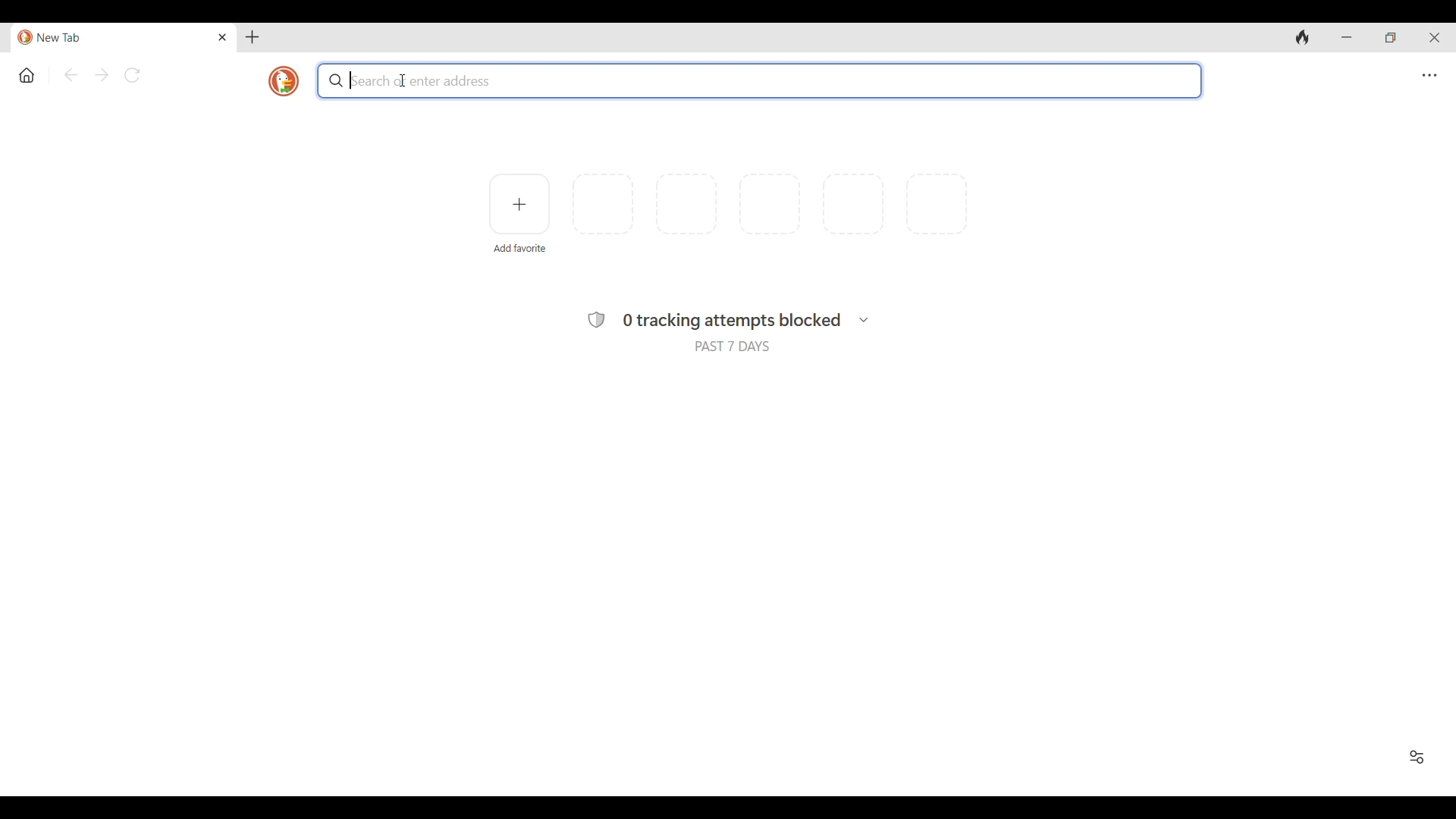 This screenshot has height=819, width=1456. Describe the element at coordinates (757, 79) in the screenshot. I see `search bar` at that location.